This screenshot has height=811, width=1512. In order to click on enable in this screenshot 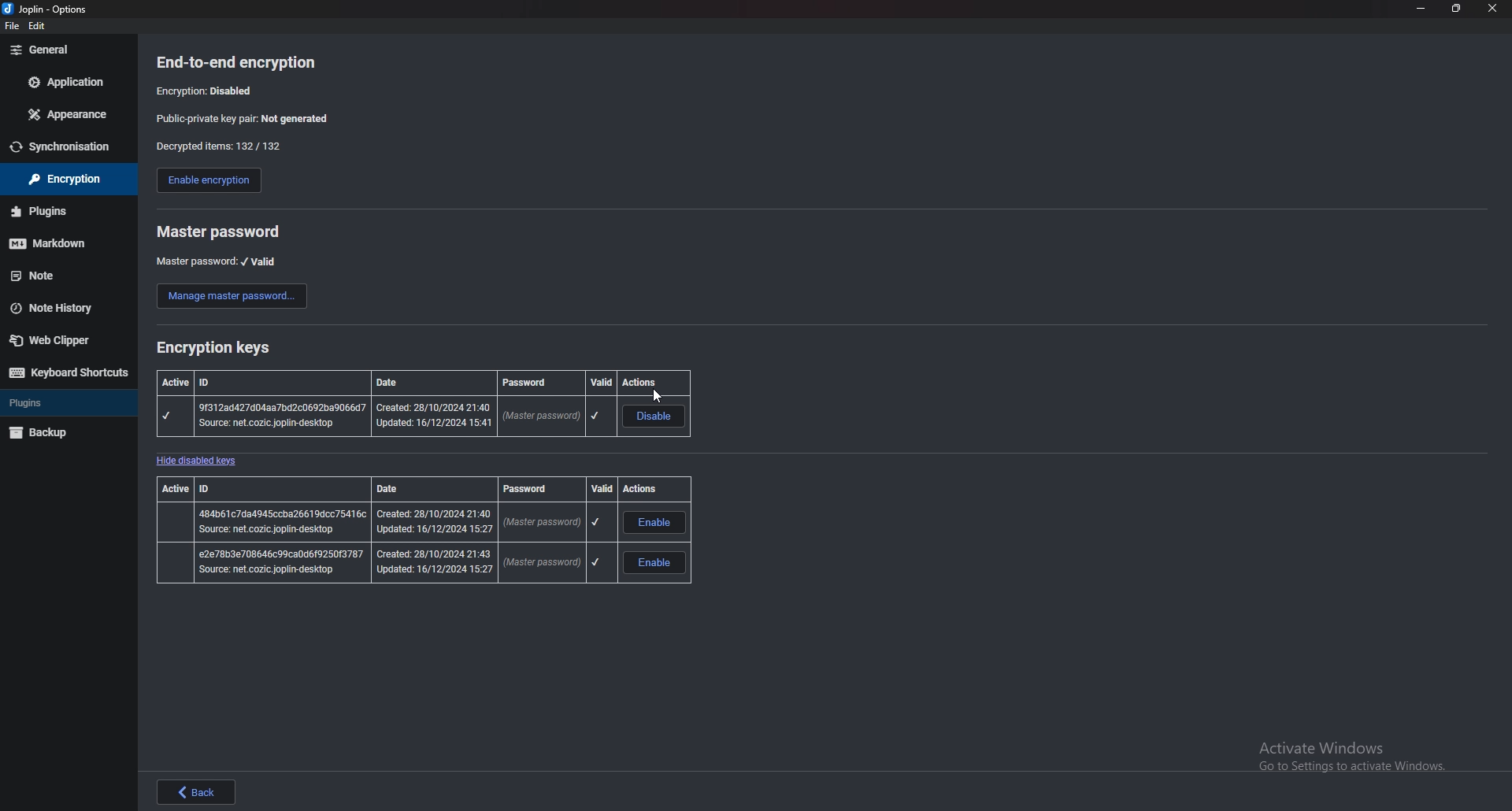, I will do `click(653, 564)`.